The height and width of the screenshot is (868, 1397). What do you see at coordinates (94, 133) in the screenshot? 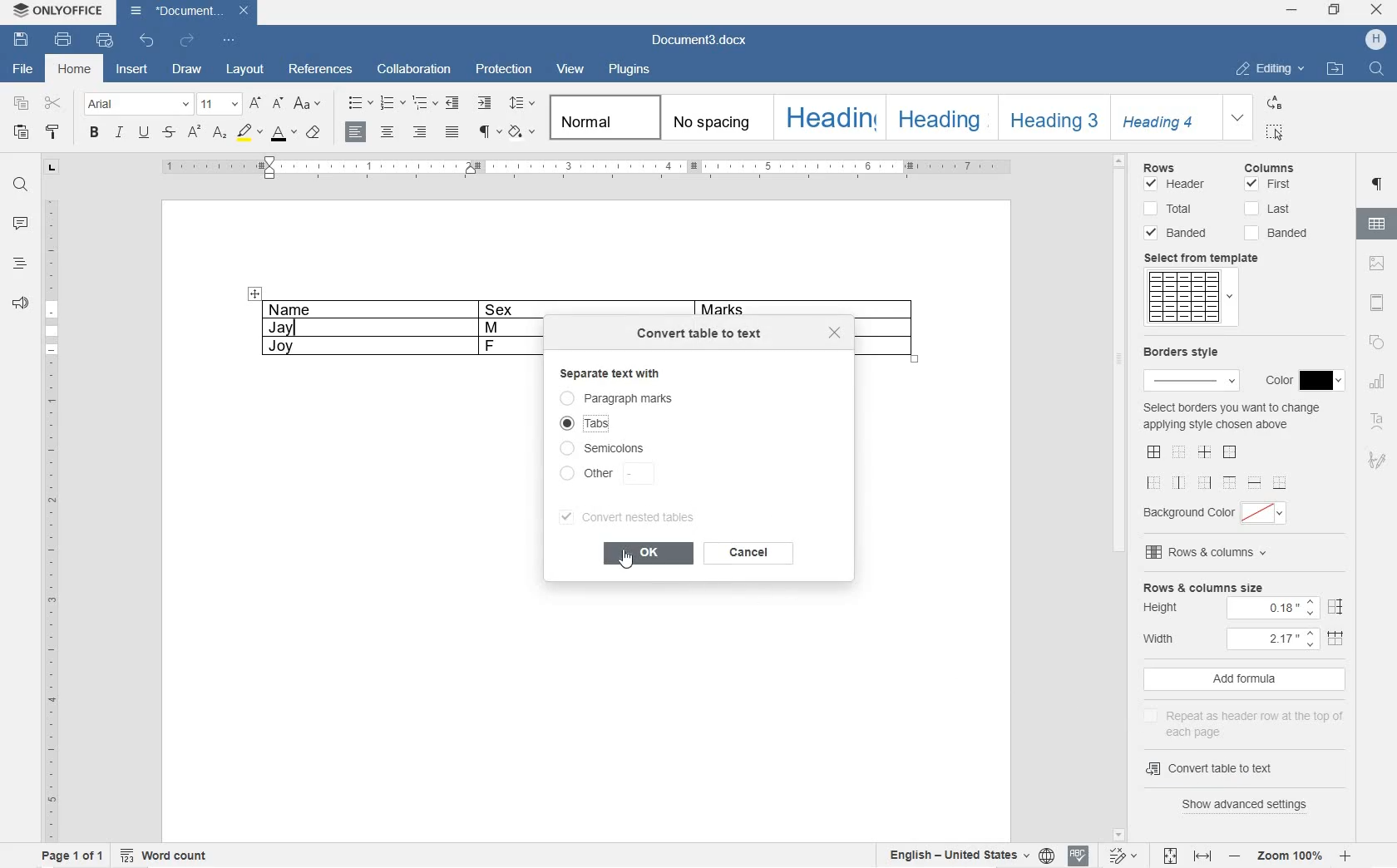
I see `BOLD` at bounding box center [94, 133].